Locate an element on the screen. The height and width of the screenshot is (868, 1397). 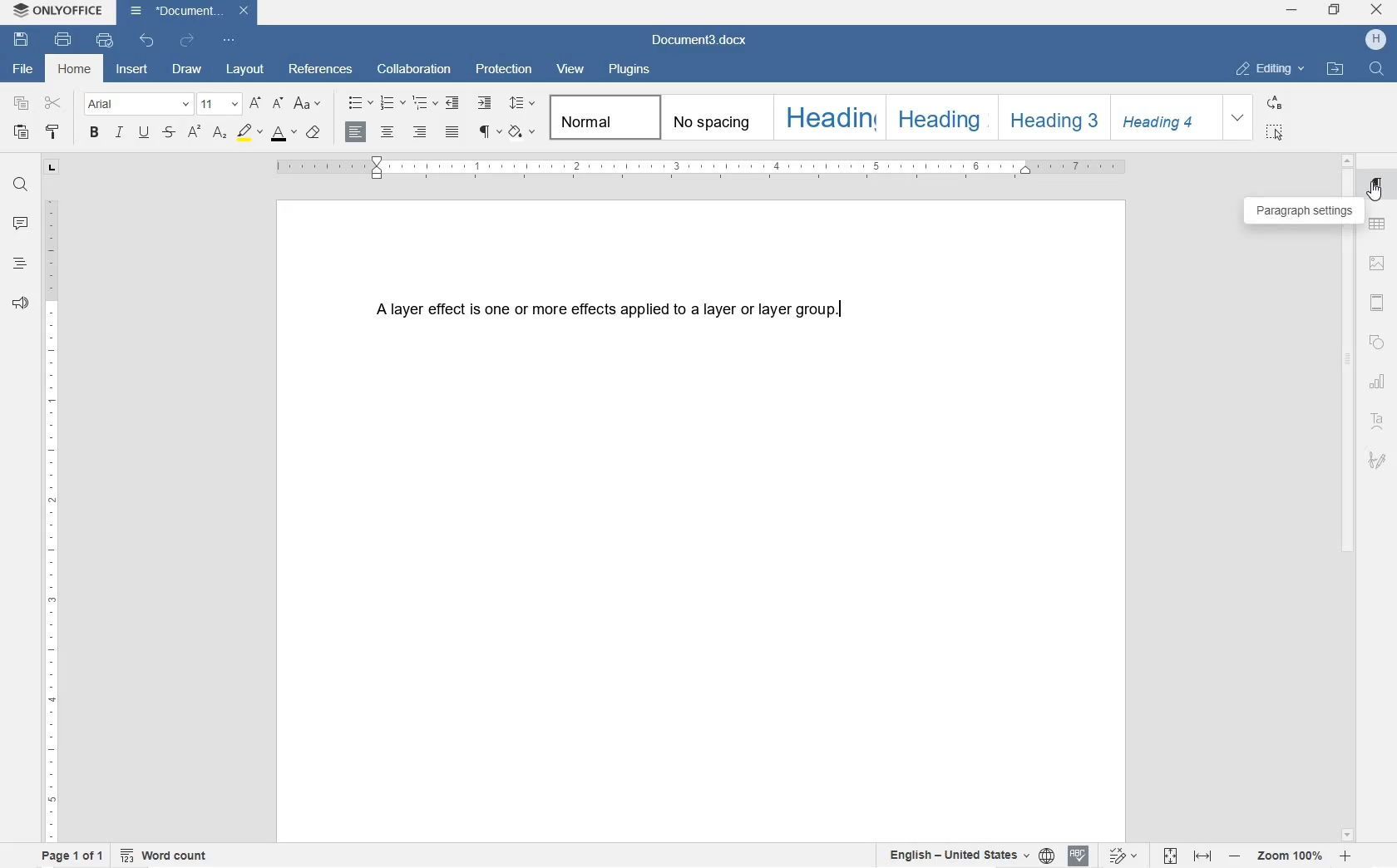
FIND is located at coordinates (19, 185).